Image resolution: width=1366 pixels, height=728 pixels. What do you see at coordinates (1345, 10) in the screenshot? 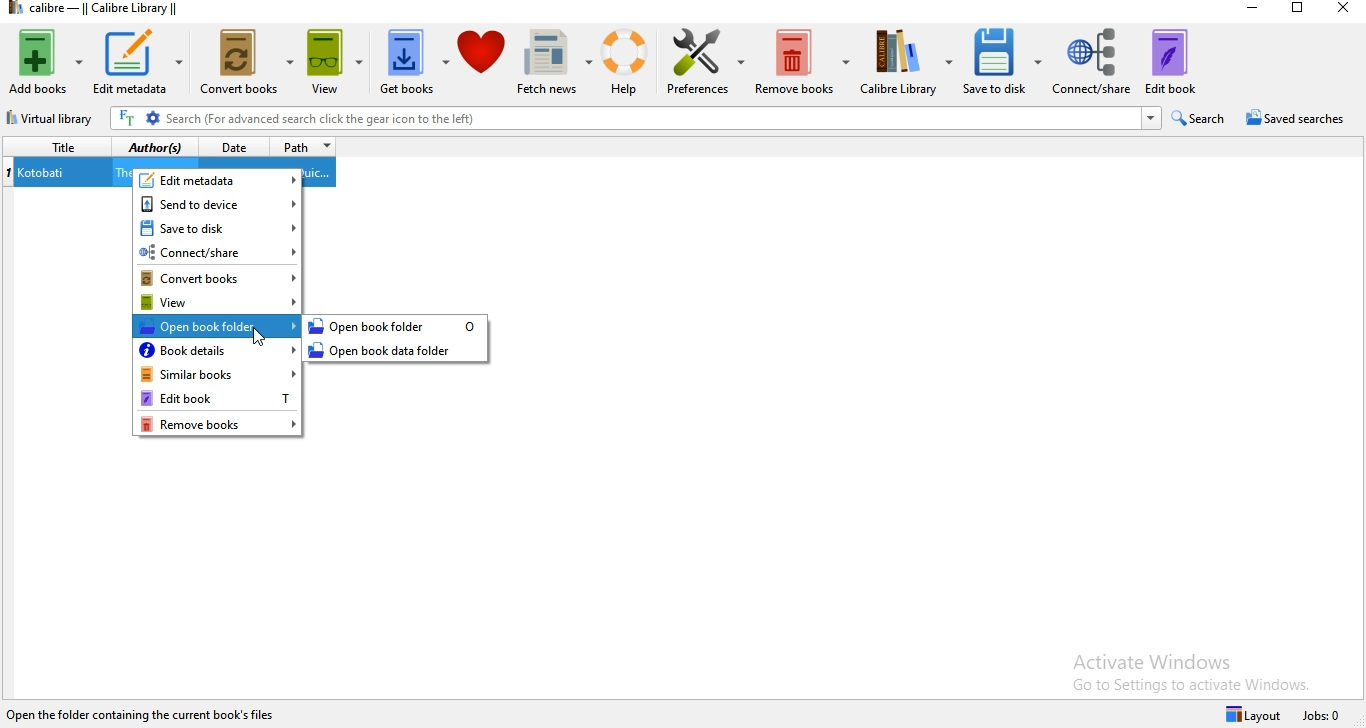
I see `close` at bounding box center [1345, 10].